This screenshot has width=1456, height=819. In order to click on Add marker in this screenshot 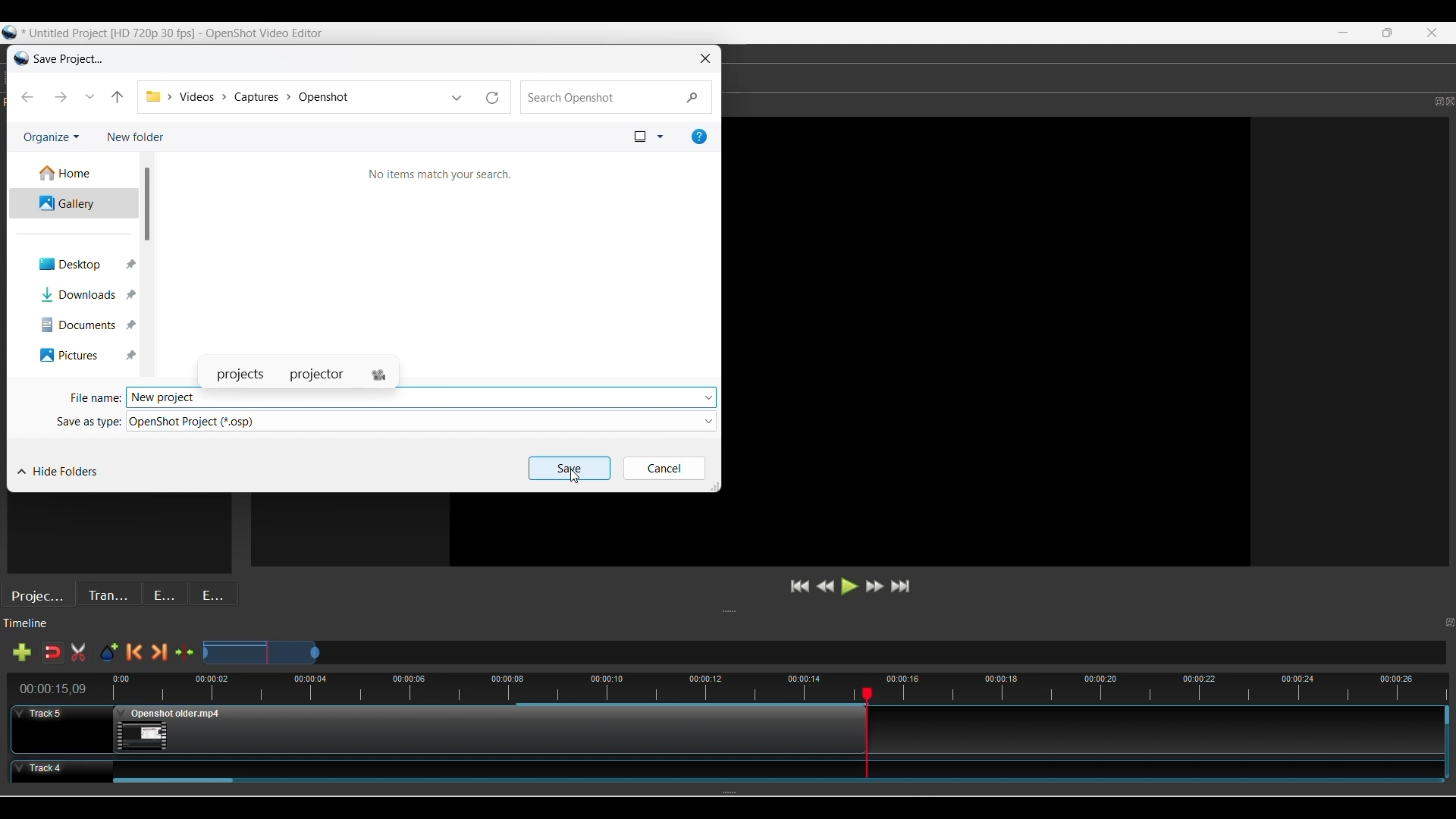, I will do `click(108, 653)`.